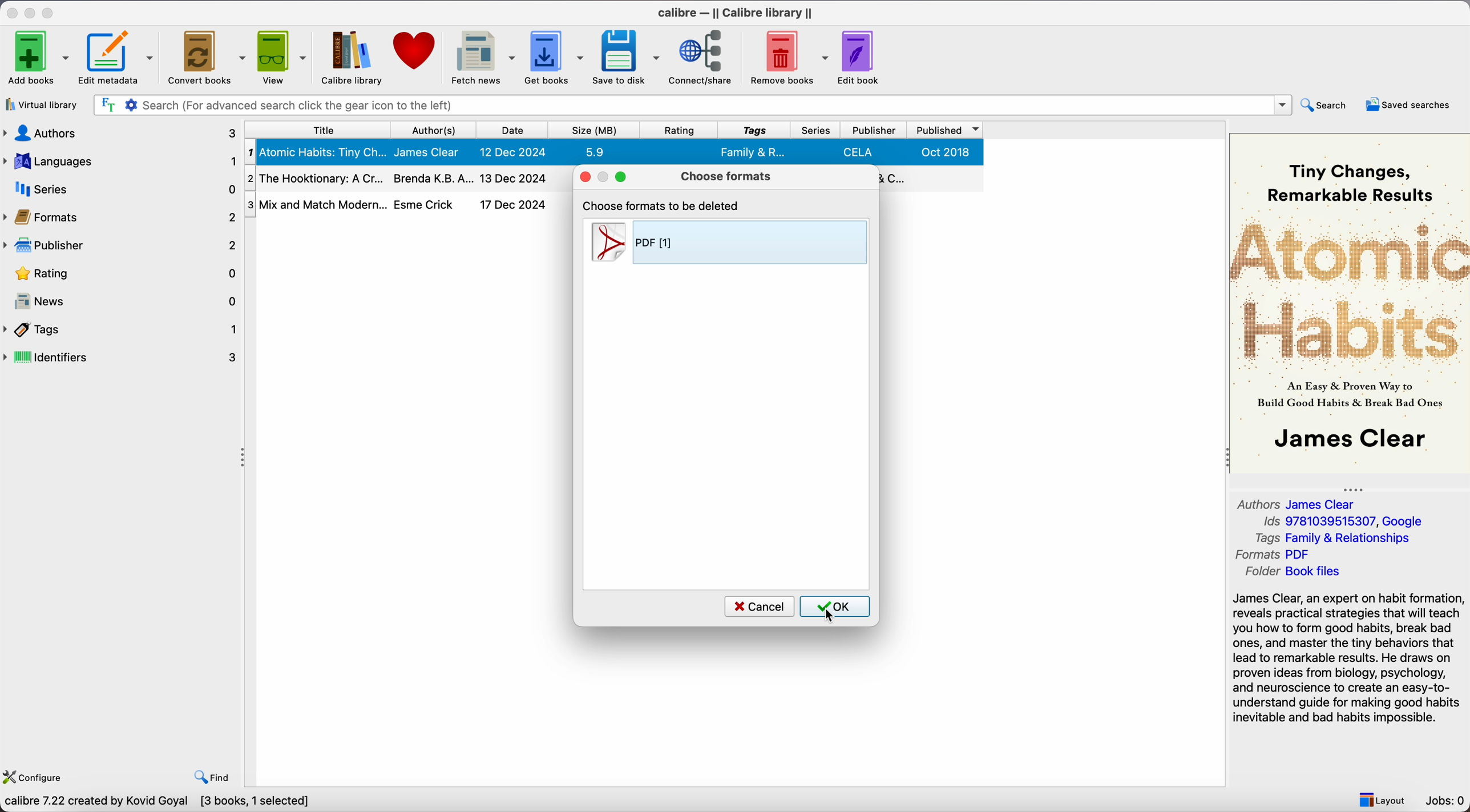 The image size is (1470, 812). Describe the element at coordinates (817, 130) in the screenshot. I see `series` at that location.